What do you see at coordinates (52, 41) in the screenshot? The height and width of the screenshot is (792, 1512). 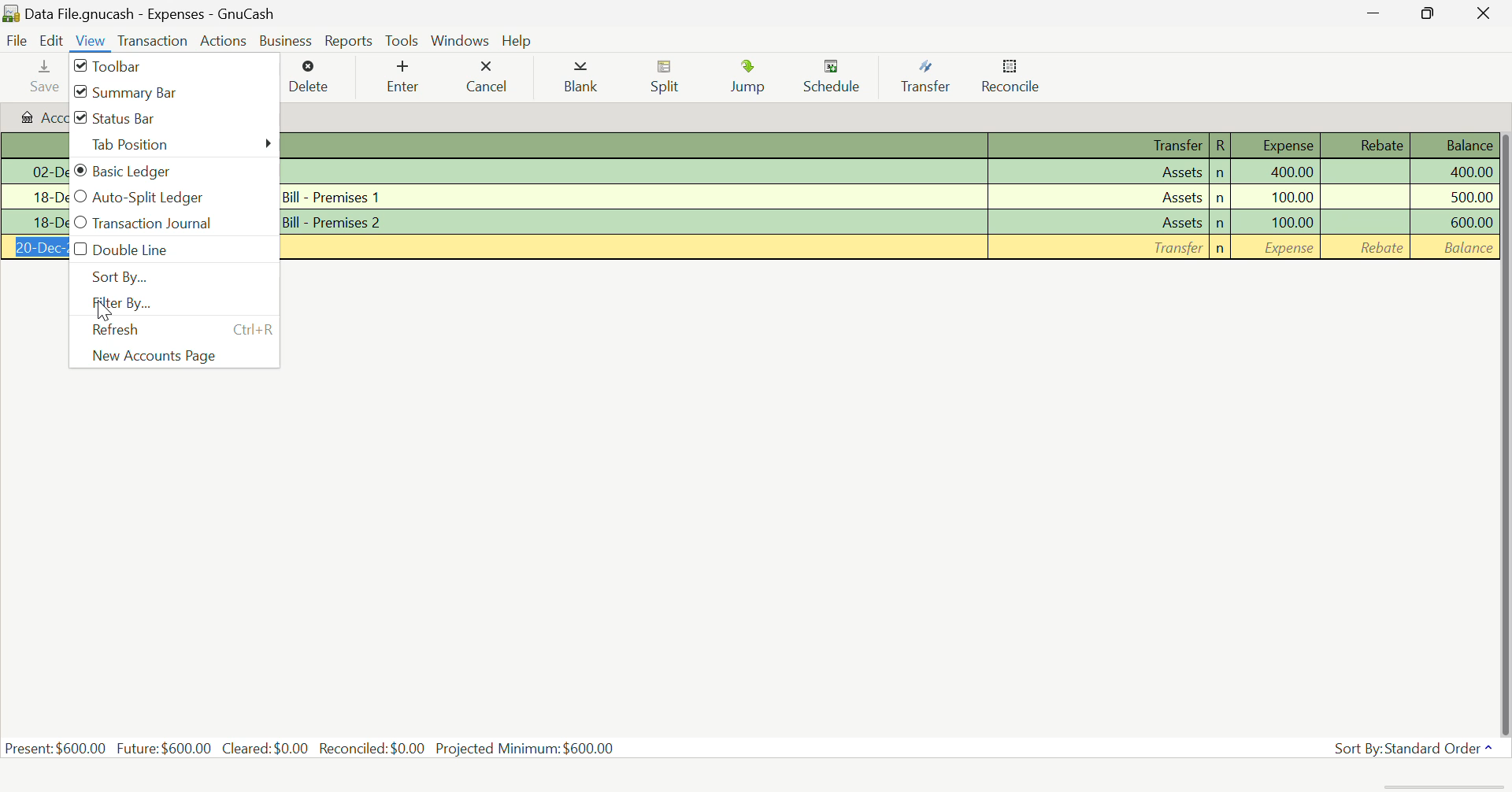 I see `Edit` at bounding box center [52, 41].